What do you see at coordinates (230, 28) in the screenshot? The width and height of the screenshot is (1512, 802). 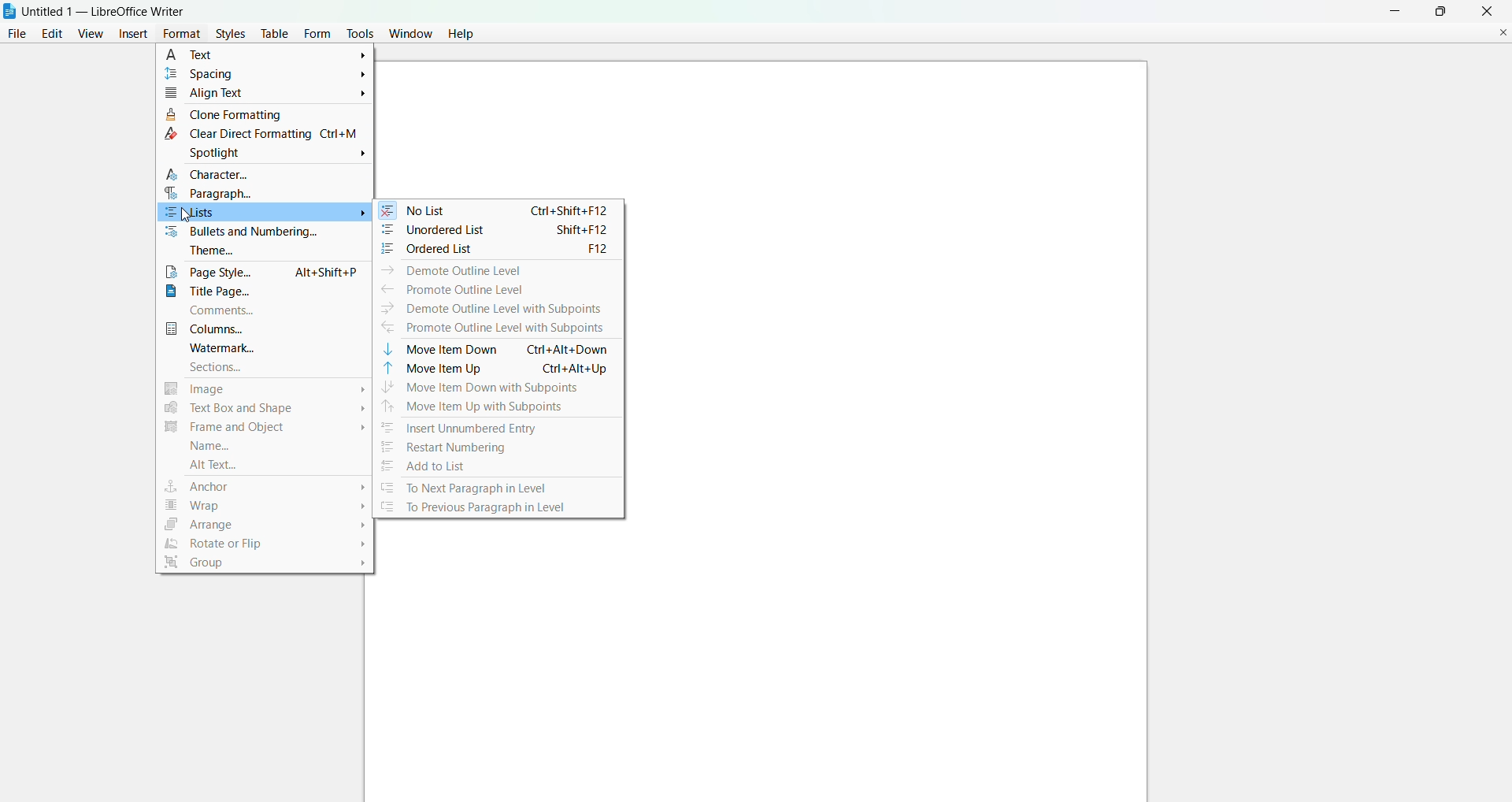 I see `styles` at bounding box center [230, 28].